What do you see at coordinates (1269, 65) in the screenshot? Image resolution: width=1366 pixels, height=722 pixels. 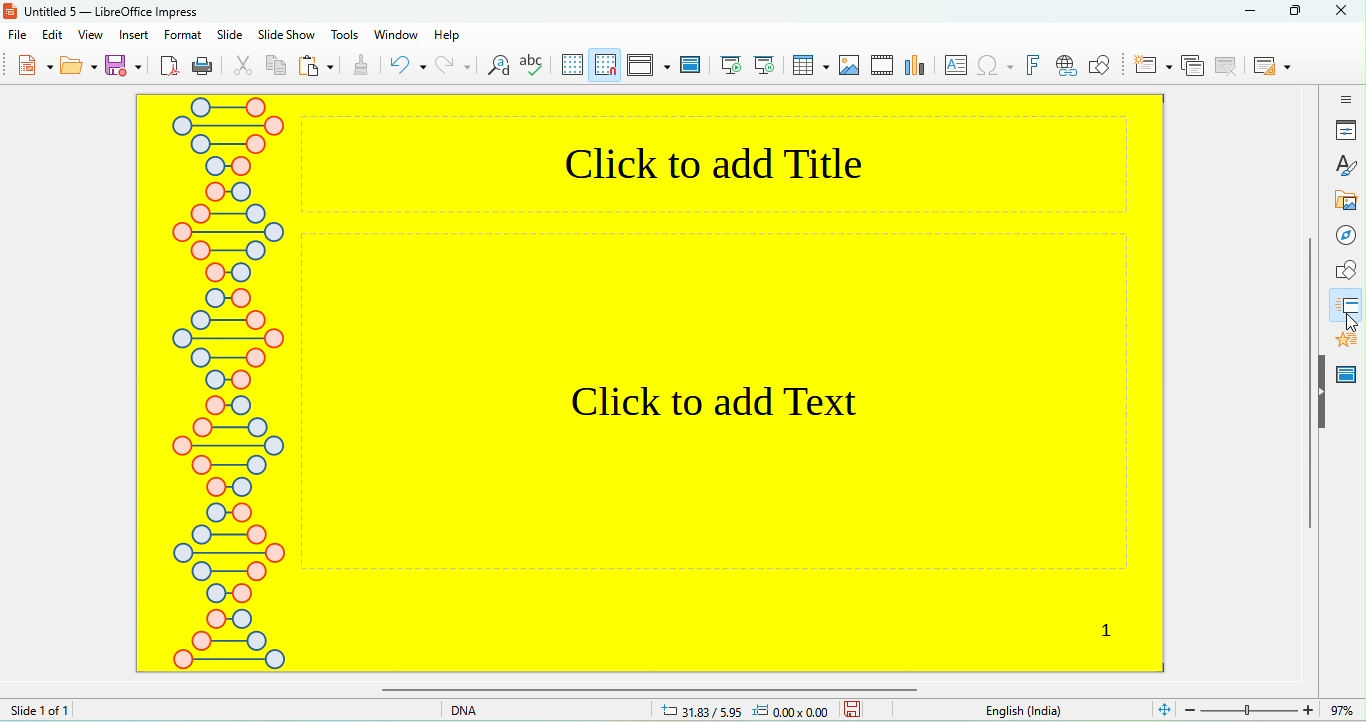 I see `slide layout` at bounding box center [1269, 65].